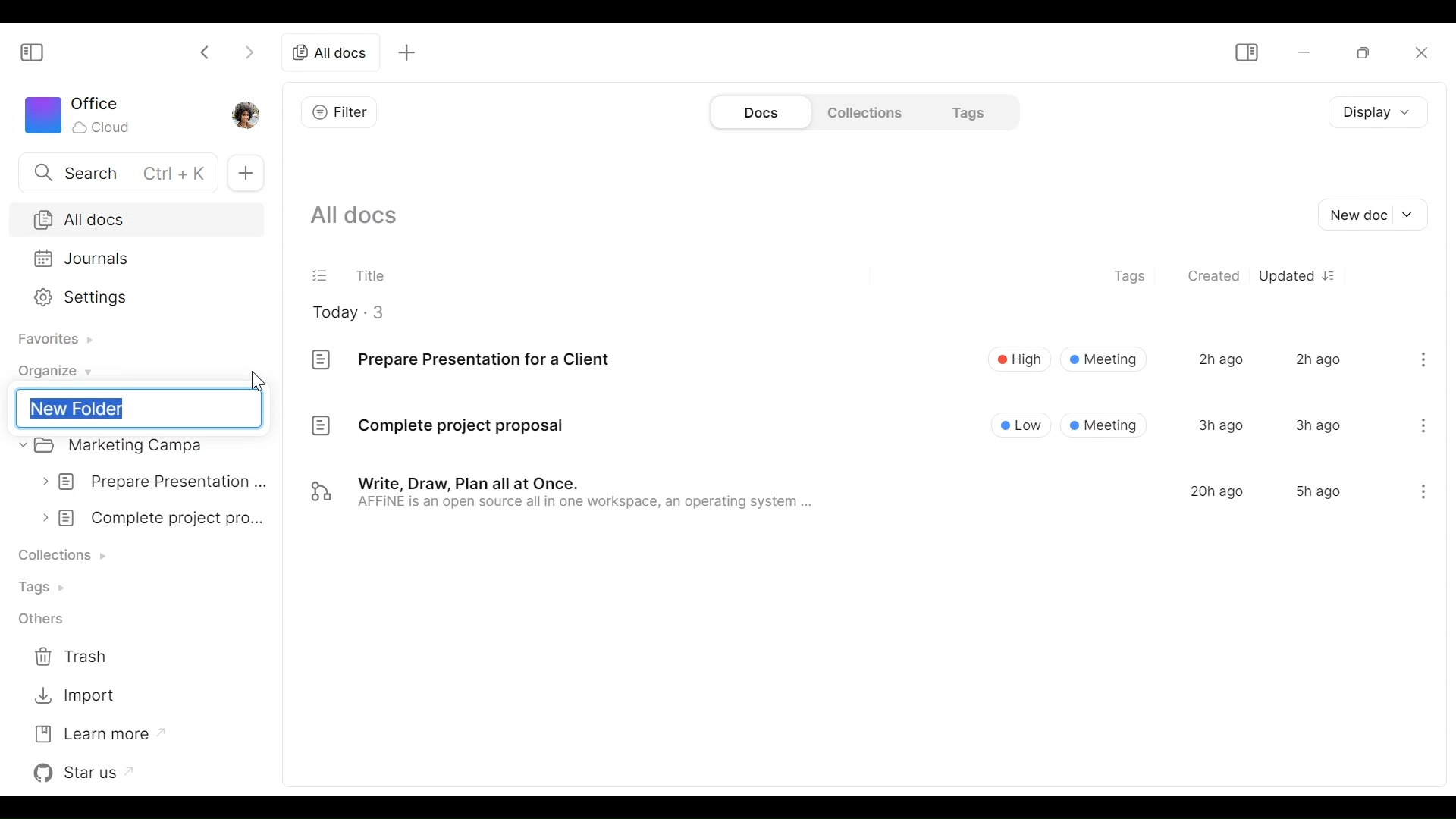  I want to click on menu icon, so click(1423, 423).